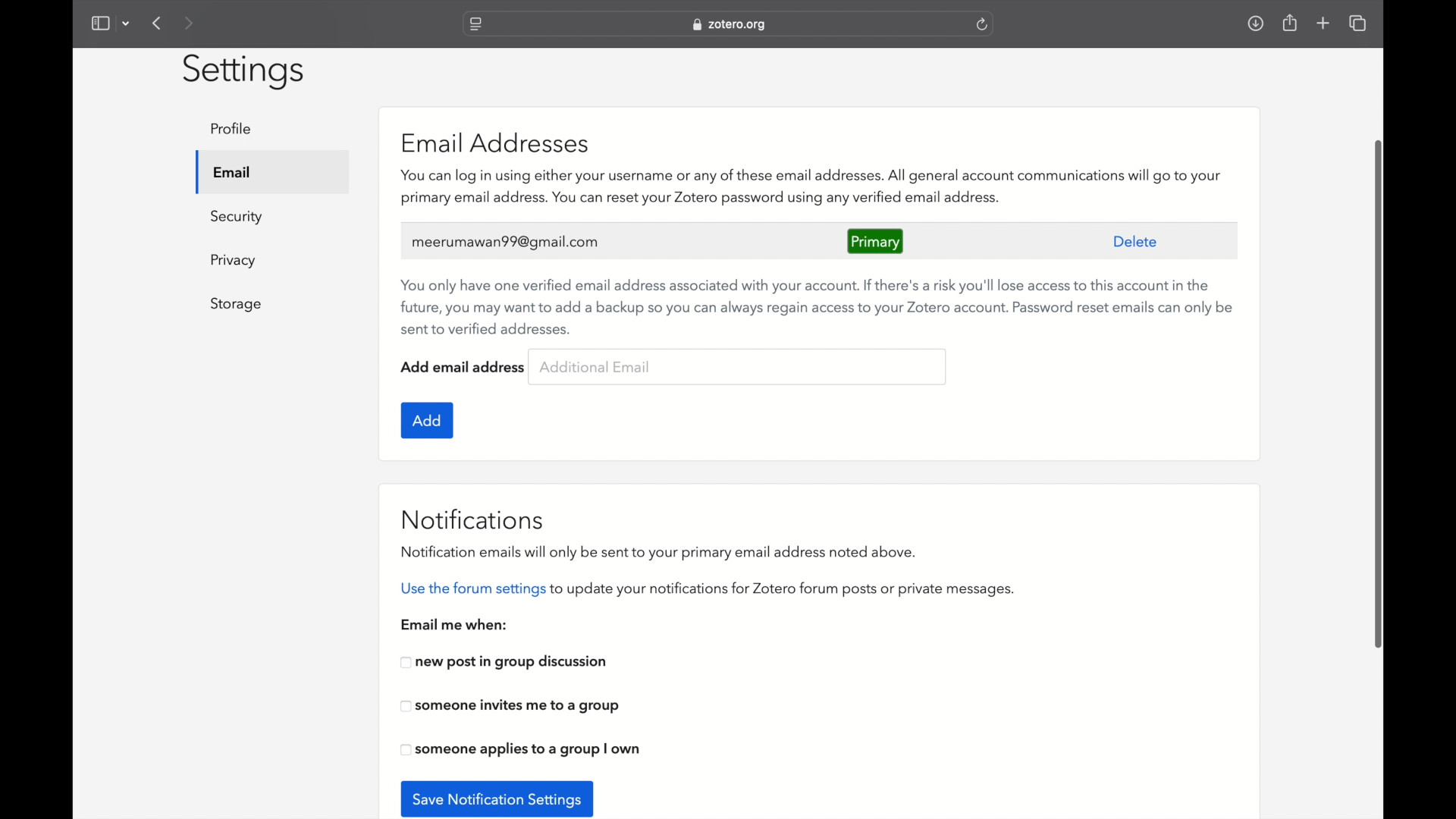 This screenshot has width=1456, height=819. Describe the element at coordinates (456, 625) in the screenshot. I see `email me when:` at that location.